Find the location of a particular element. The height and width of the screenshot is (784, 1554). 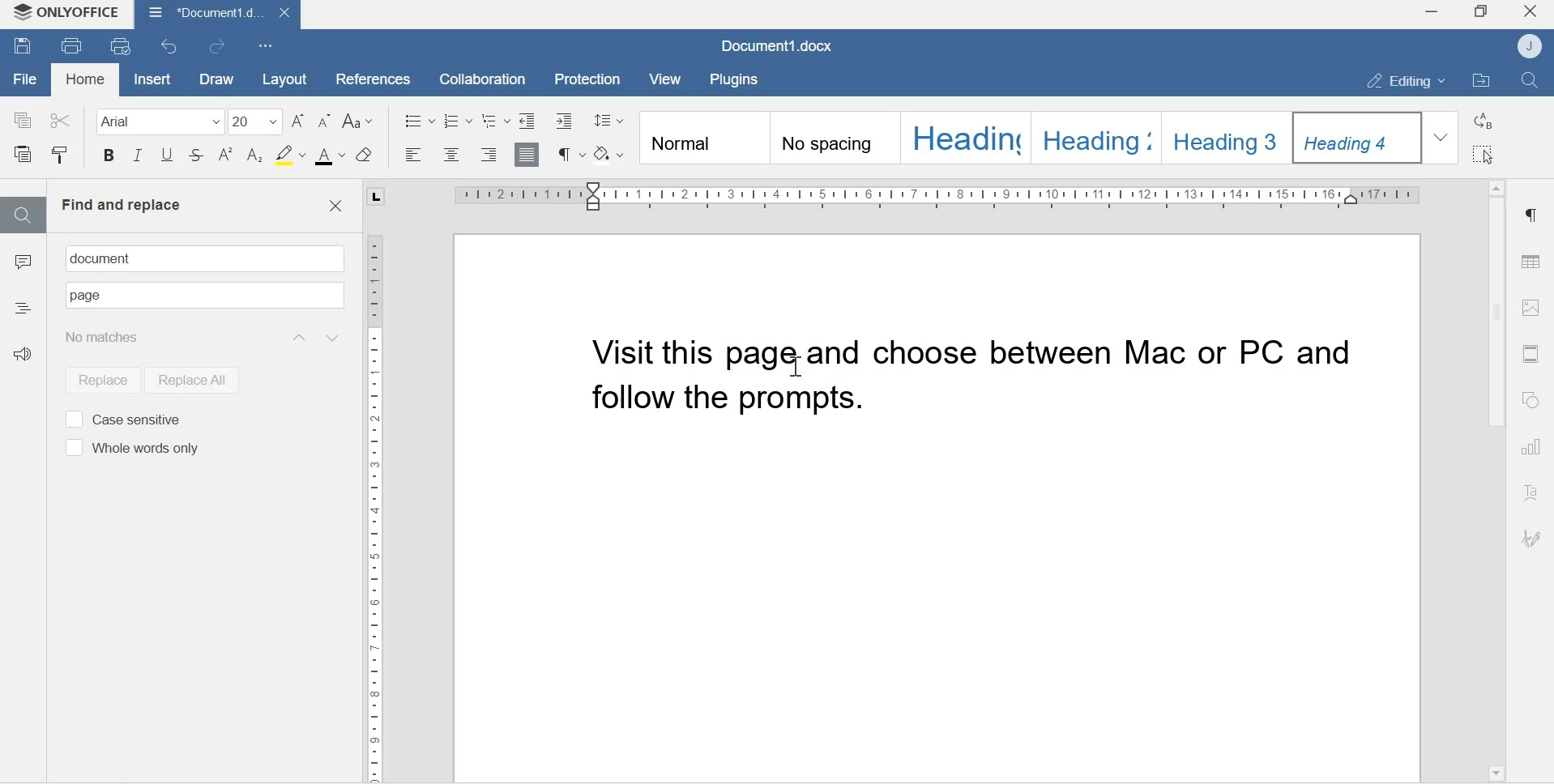

Find is located at coordinates (1533, 81).